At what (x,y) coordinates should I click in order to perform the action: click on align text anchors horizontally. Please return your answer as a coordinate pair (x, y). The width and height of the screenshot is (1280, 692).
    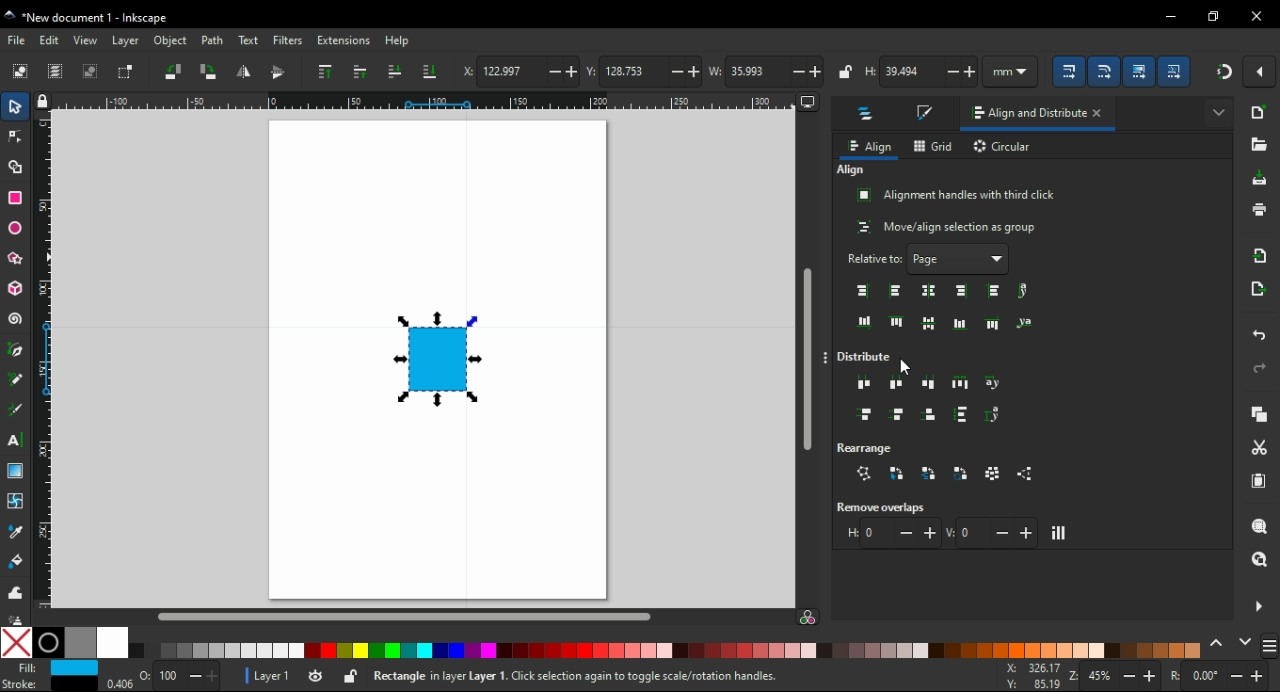
    Looking at the image, I should click on (1023, 291).